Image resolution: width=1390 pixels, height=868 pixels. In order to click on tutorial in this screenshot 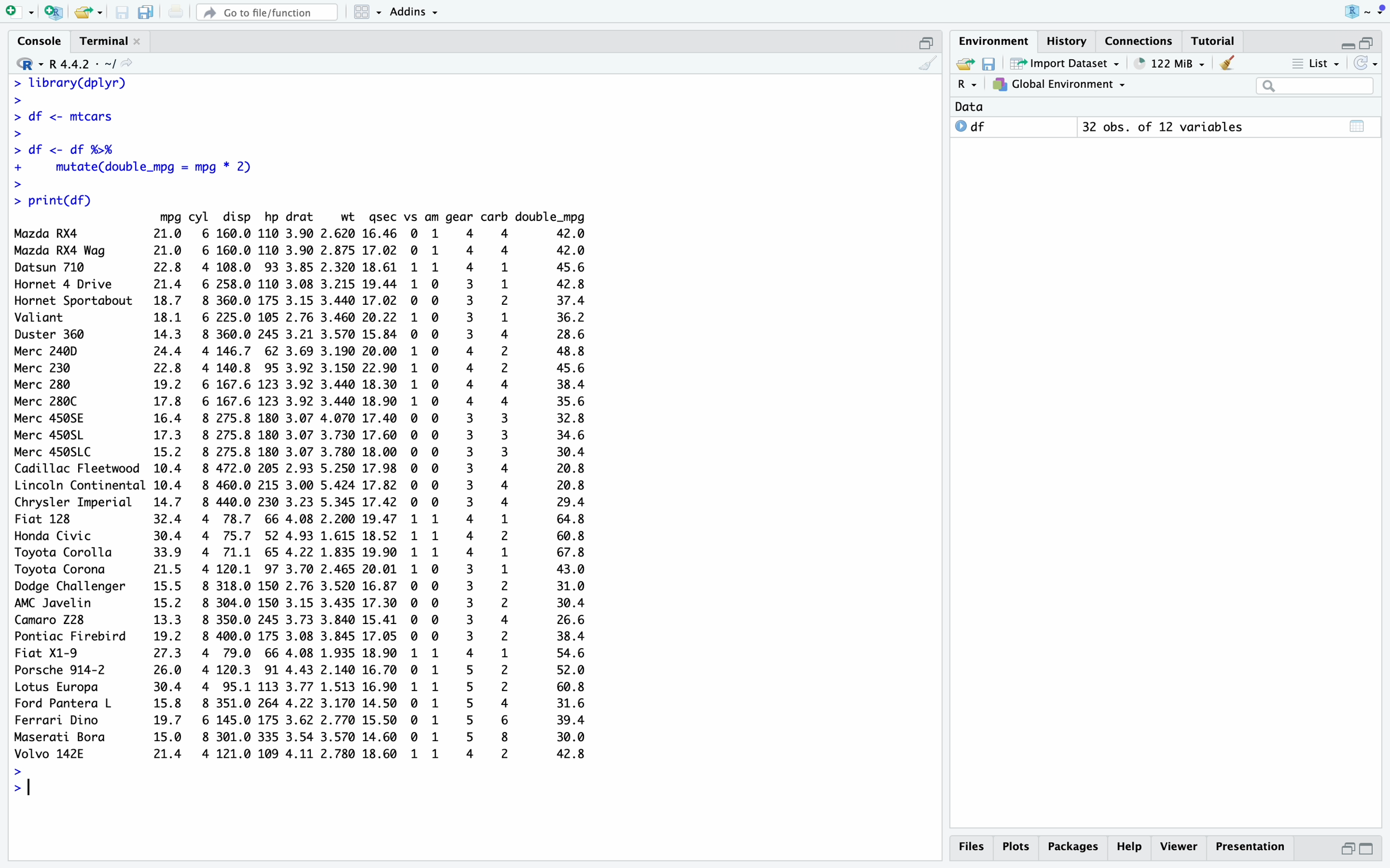, I will do `click(1213, 41)`.